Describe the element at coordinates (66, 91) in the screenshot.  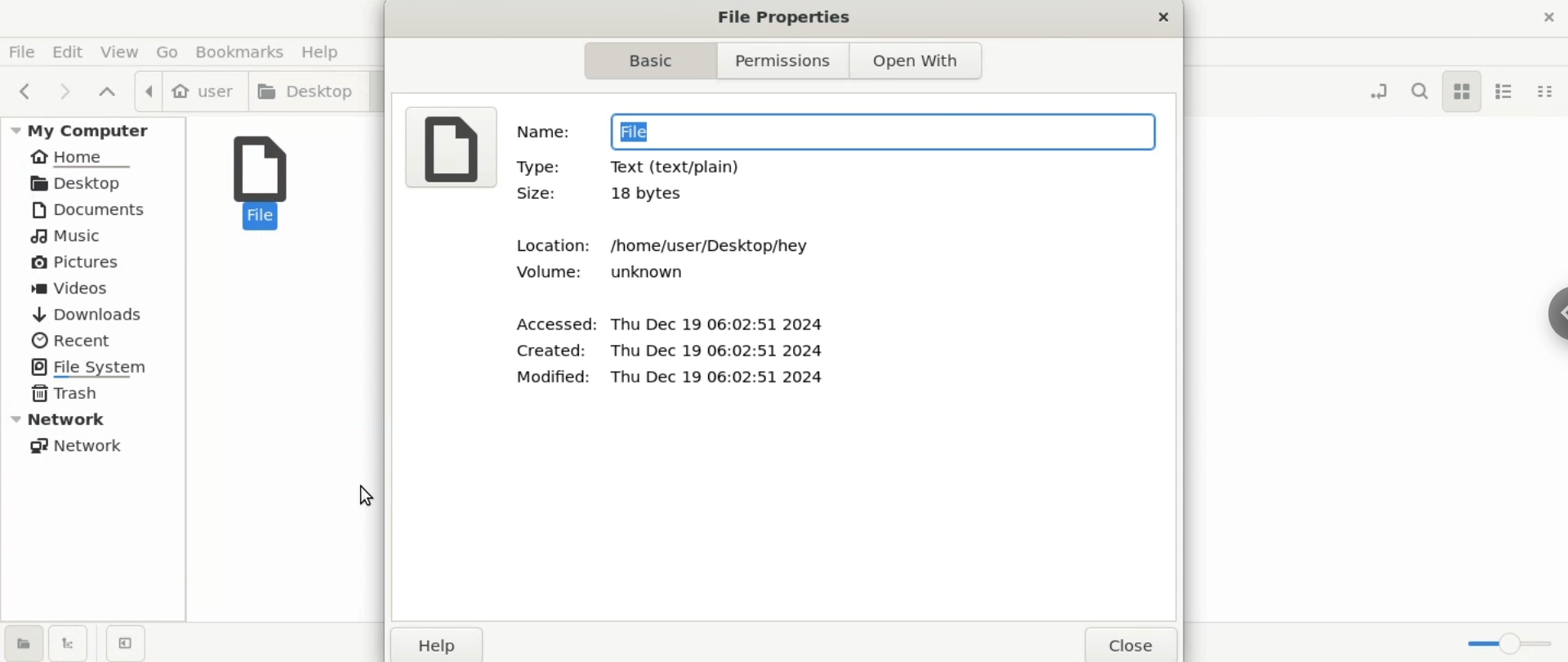
I see `nect` at that location.